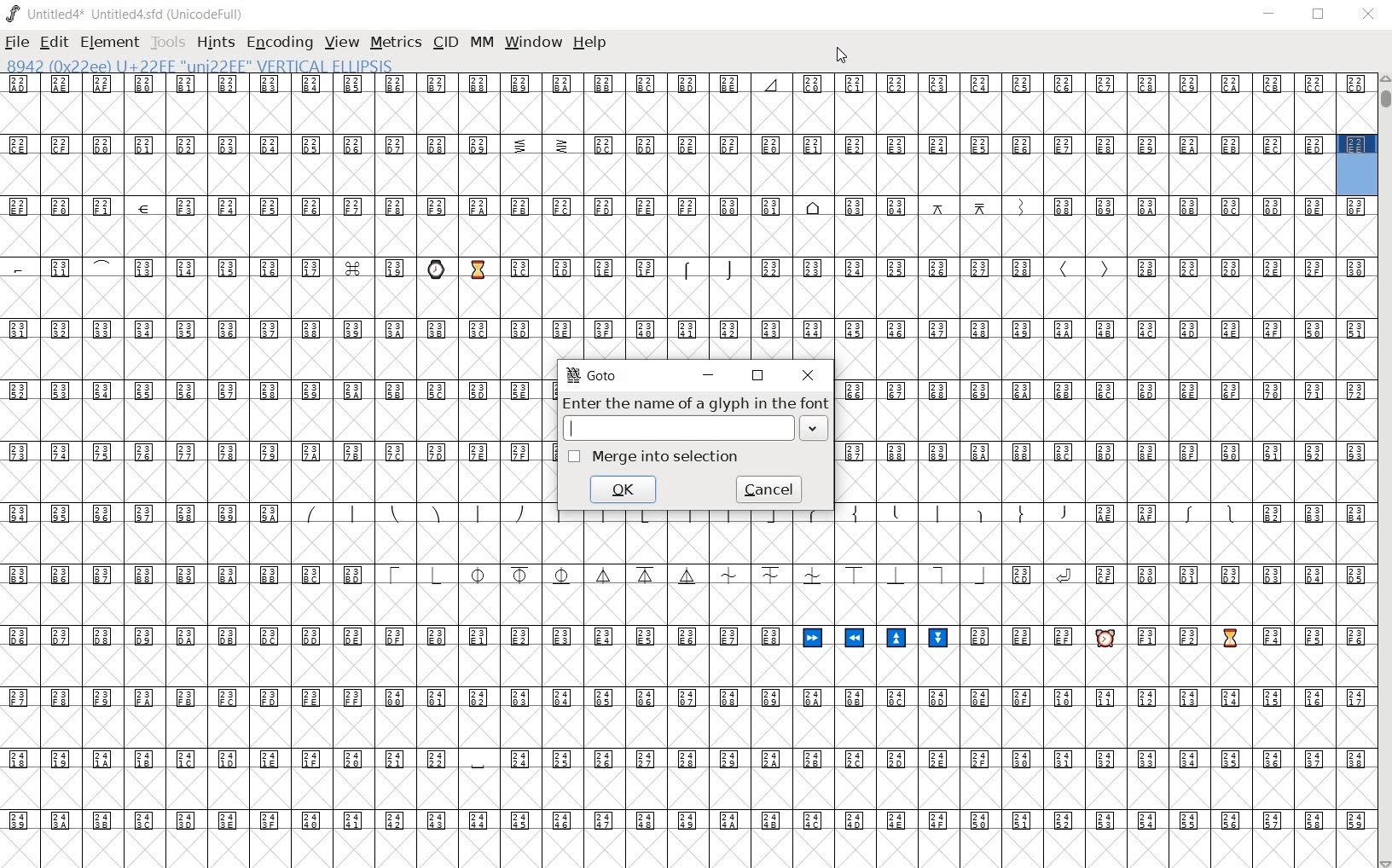 The image size is (1392, 868). What do you see at coordinates (269, 472) in the screenshot?
I see `GLYPHS` at bounding box center [269, 472].